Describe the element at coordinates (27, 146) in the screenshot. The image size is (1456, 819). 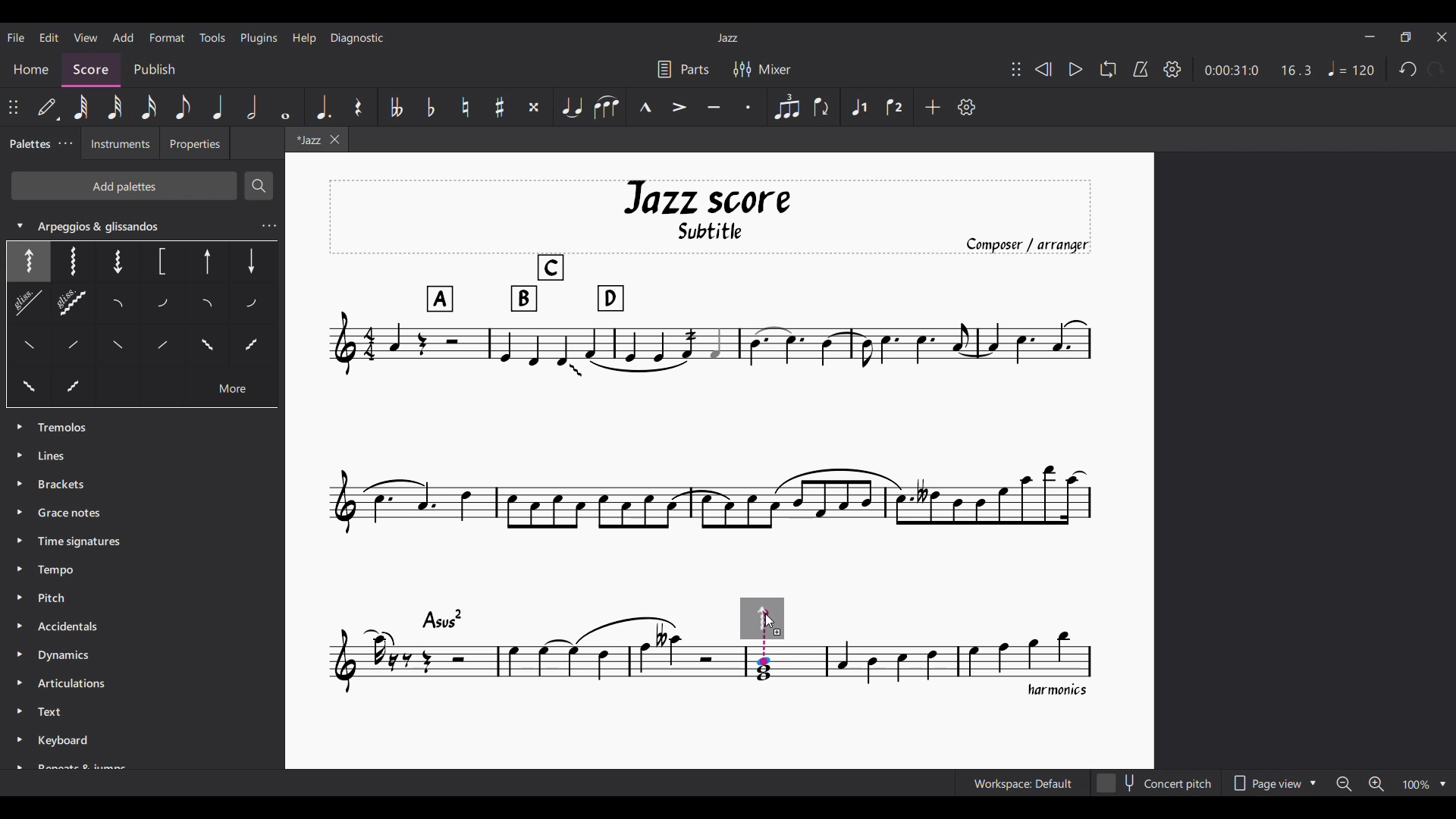
I see `Palettes` at that location.